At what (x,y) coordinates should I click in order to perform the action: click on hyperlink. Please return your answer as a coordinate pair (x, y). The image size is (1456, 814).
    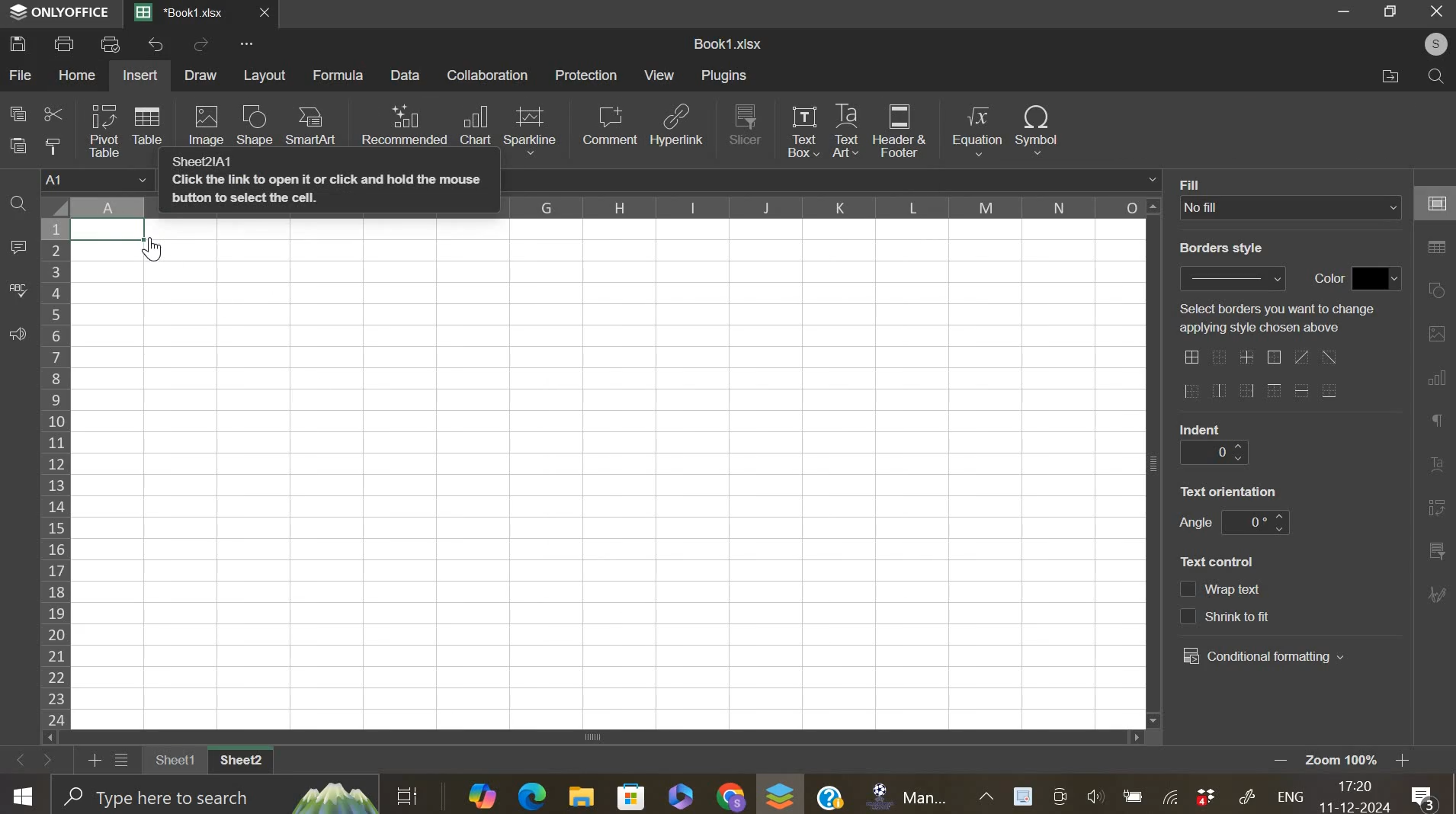
    Looking at the image, I should click on (678, 130).